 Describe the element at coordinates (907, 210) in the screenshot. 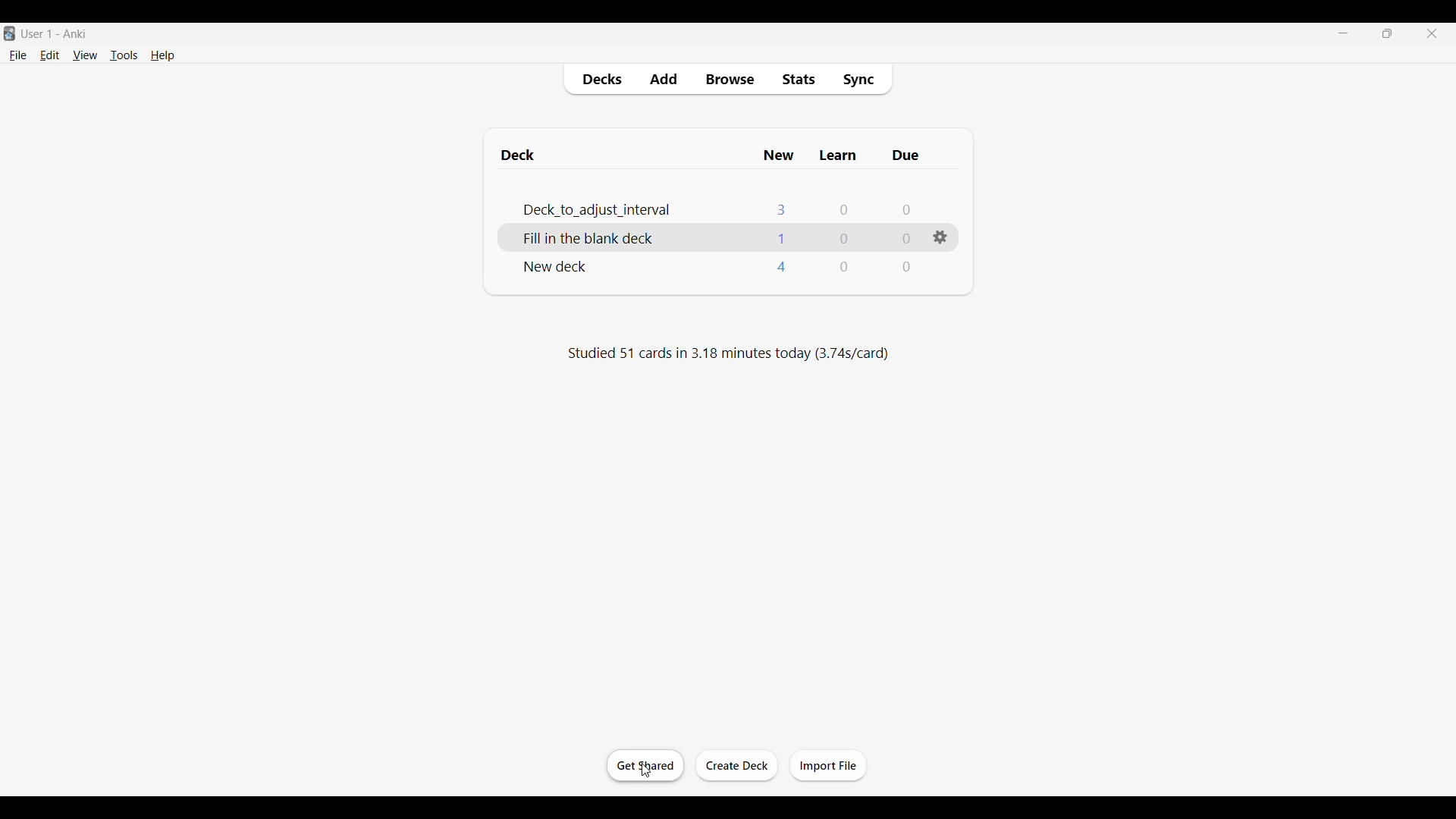

I see `0` at that location.